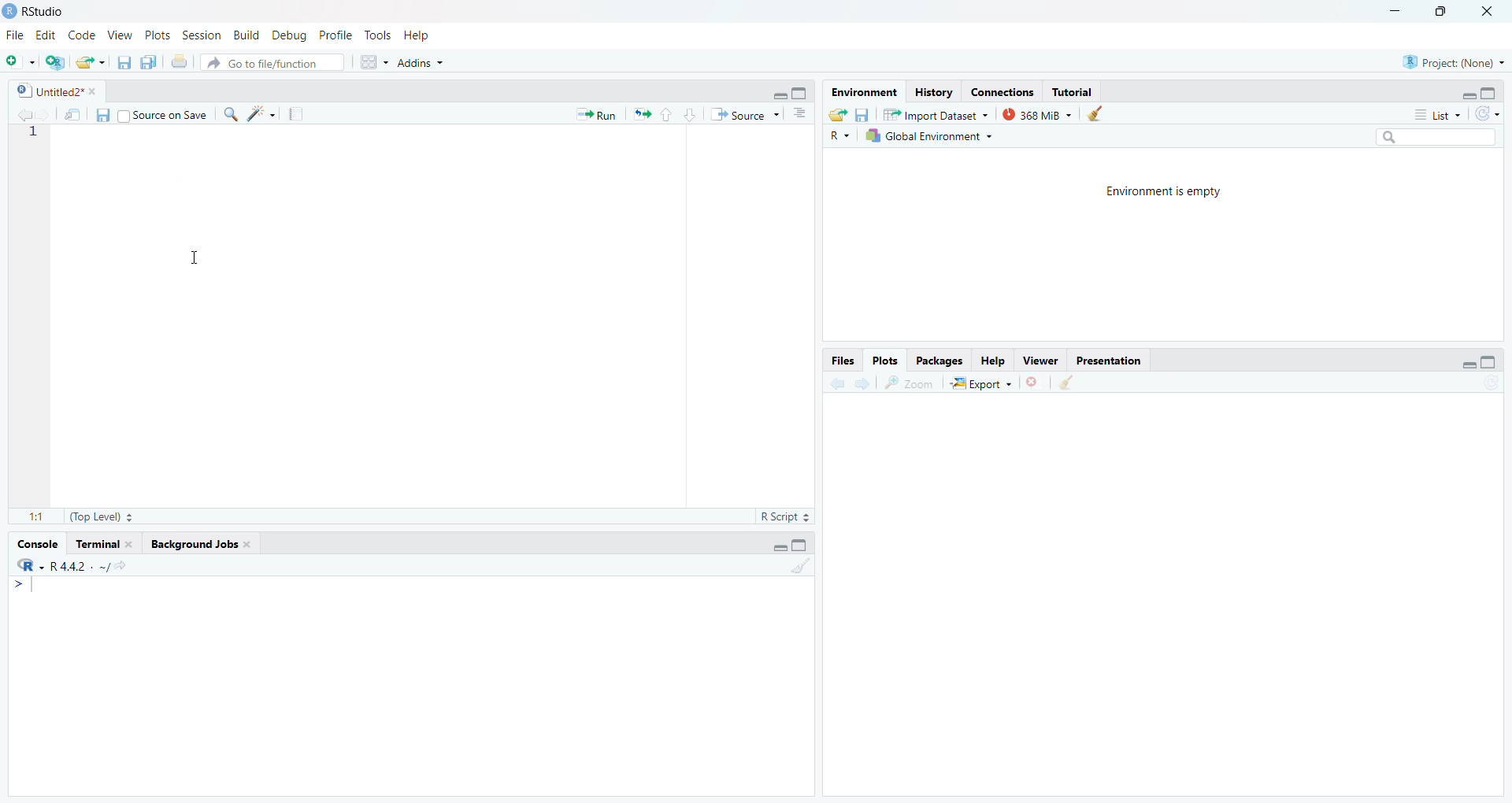 The image size is (1512, 803). I want to click on R~, so click(838, 135).